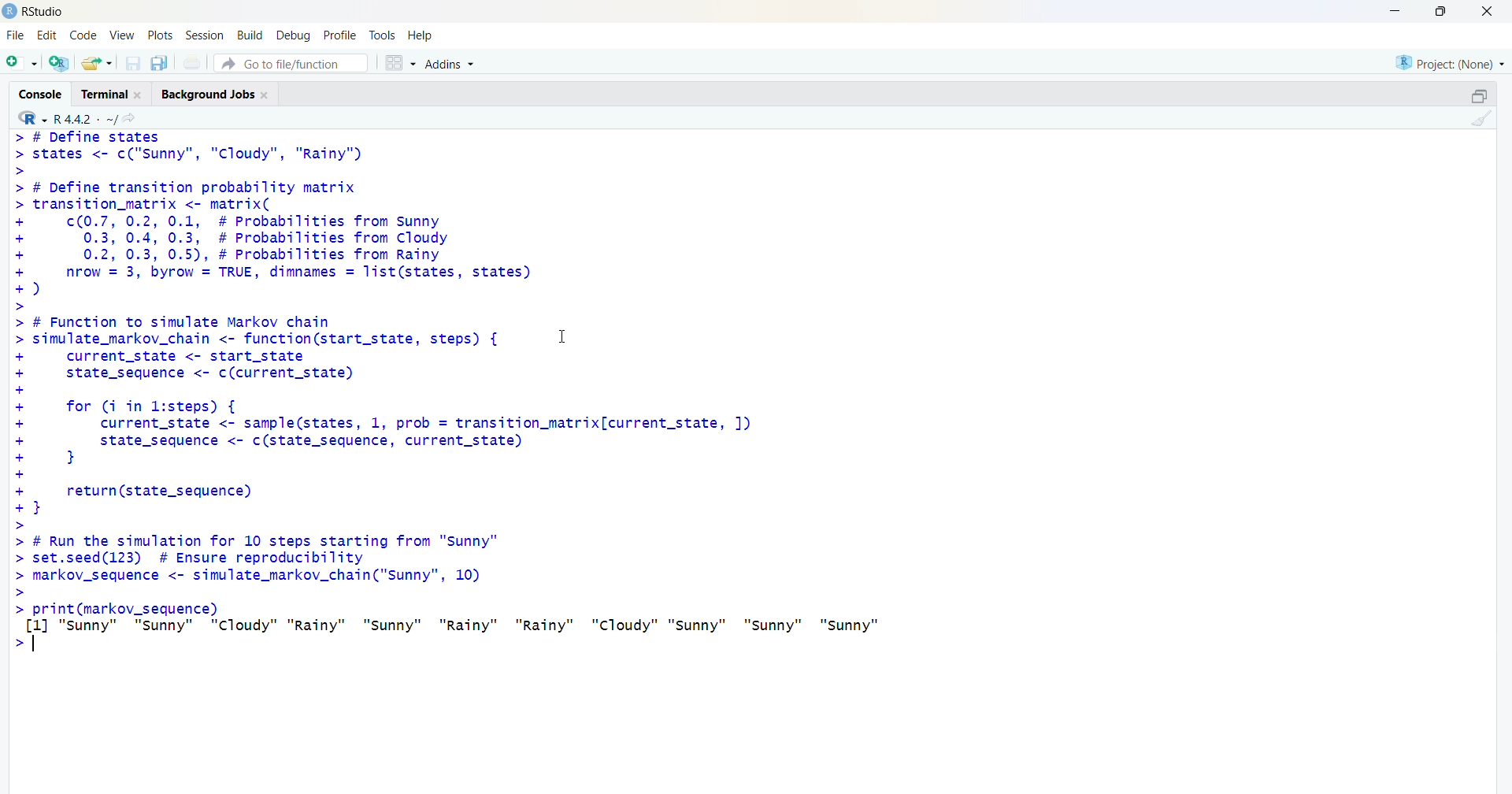 Image resolution: width=1512 pixels, height=794 pixels. I want to click on workspace panes, so click(399, 65).